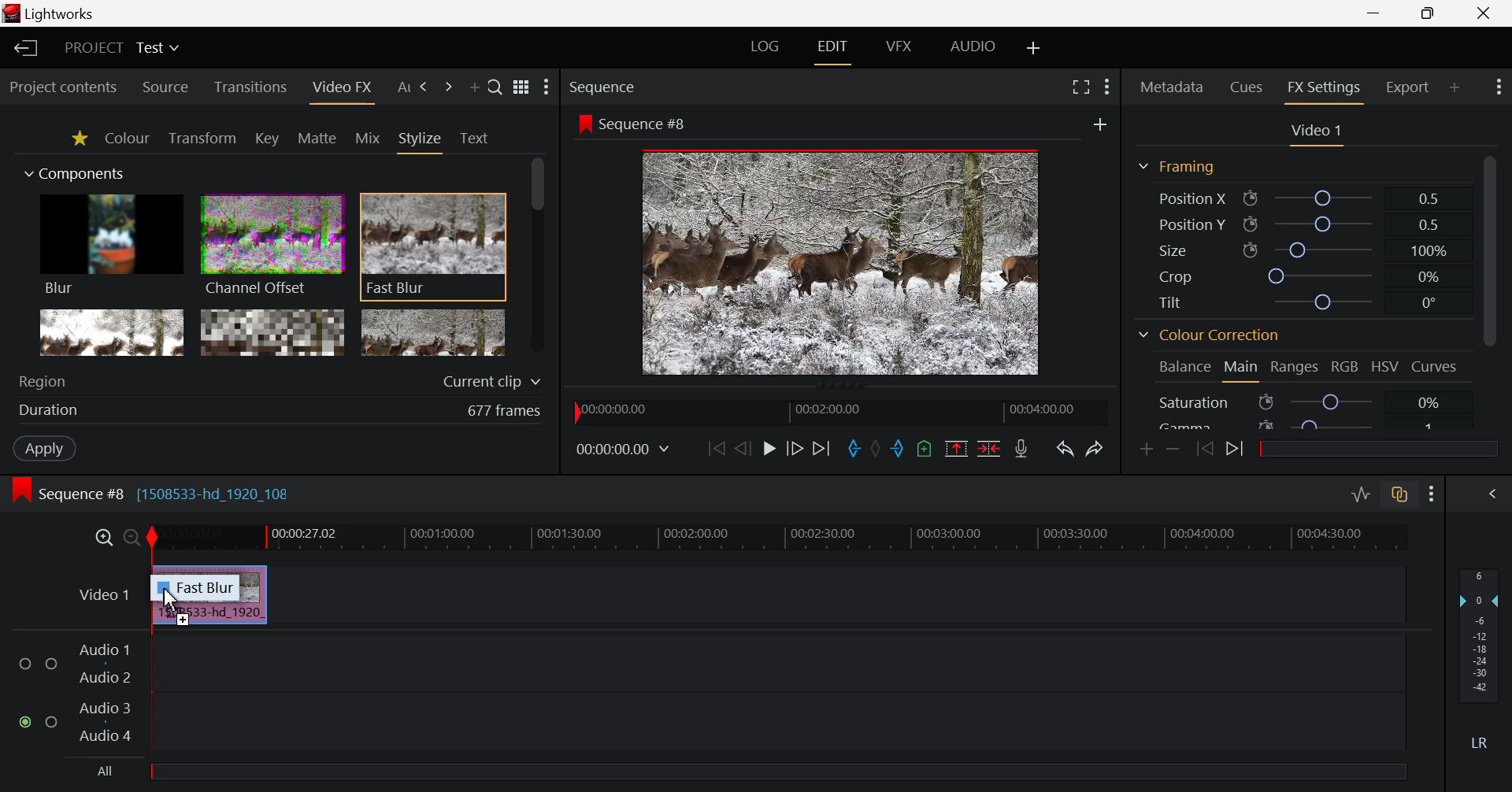 The image size is (1512, 792). What do you see at coordinates (1493, 291) in the screenshot?
I see `Scroll Bar` at bounding box center [1493, 291].